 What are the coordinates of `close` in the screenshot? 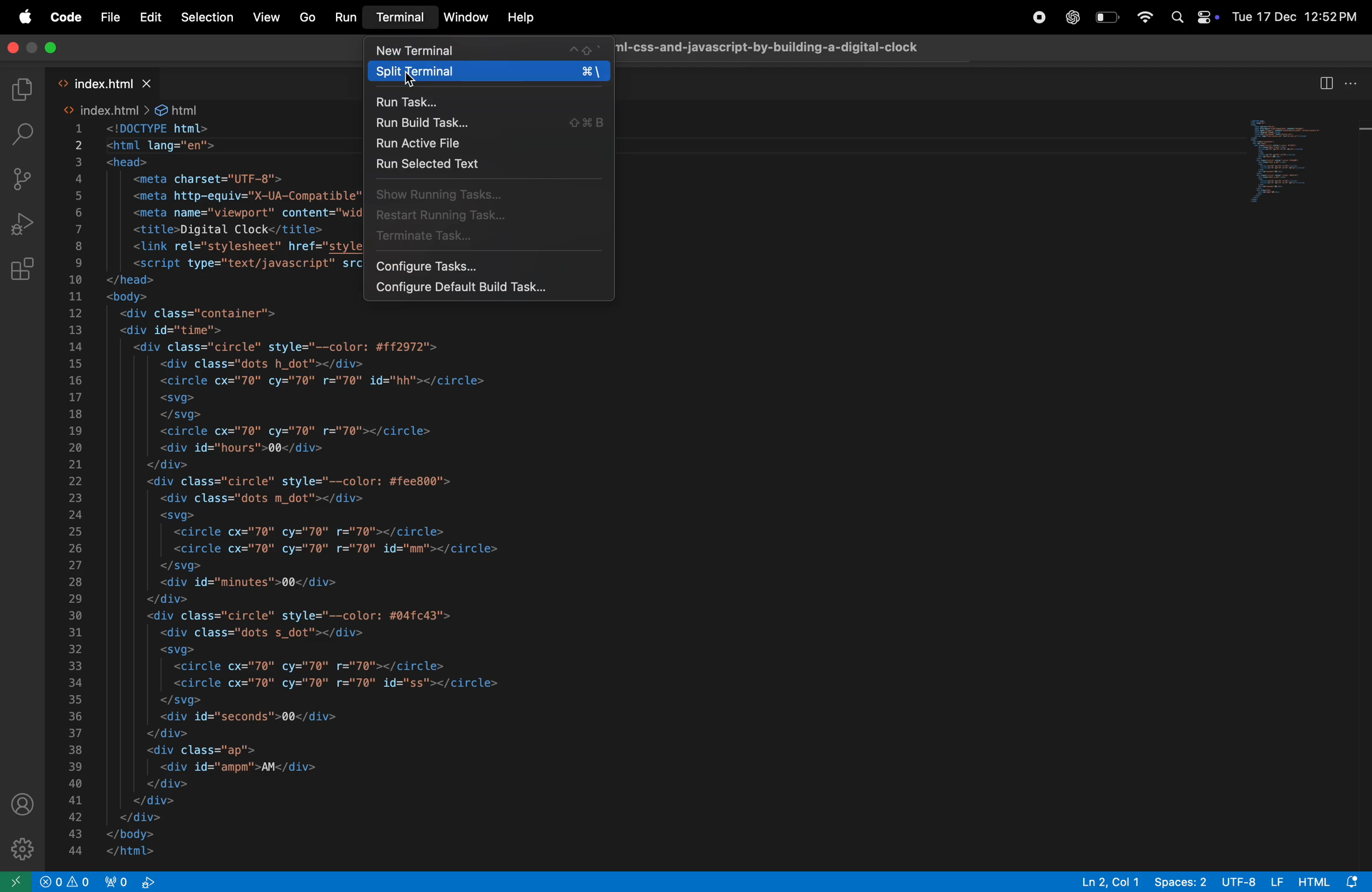 It's located at (47, 49).